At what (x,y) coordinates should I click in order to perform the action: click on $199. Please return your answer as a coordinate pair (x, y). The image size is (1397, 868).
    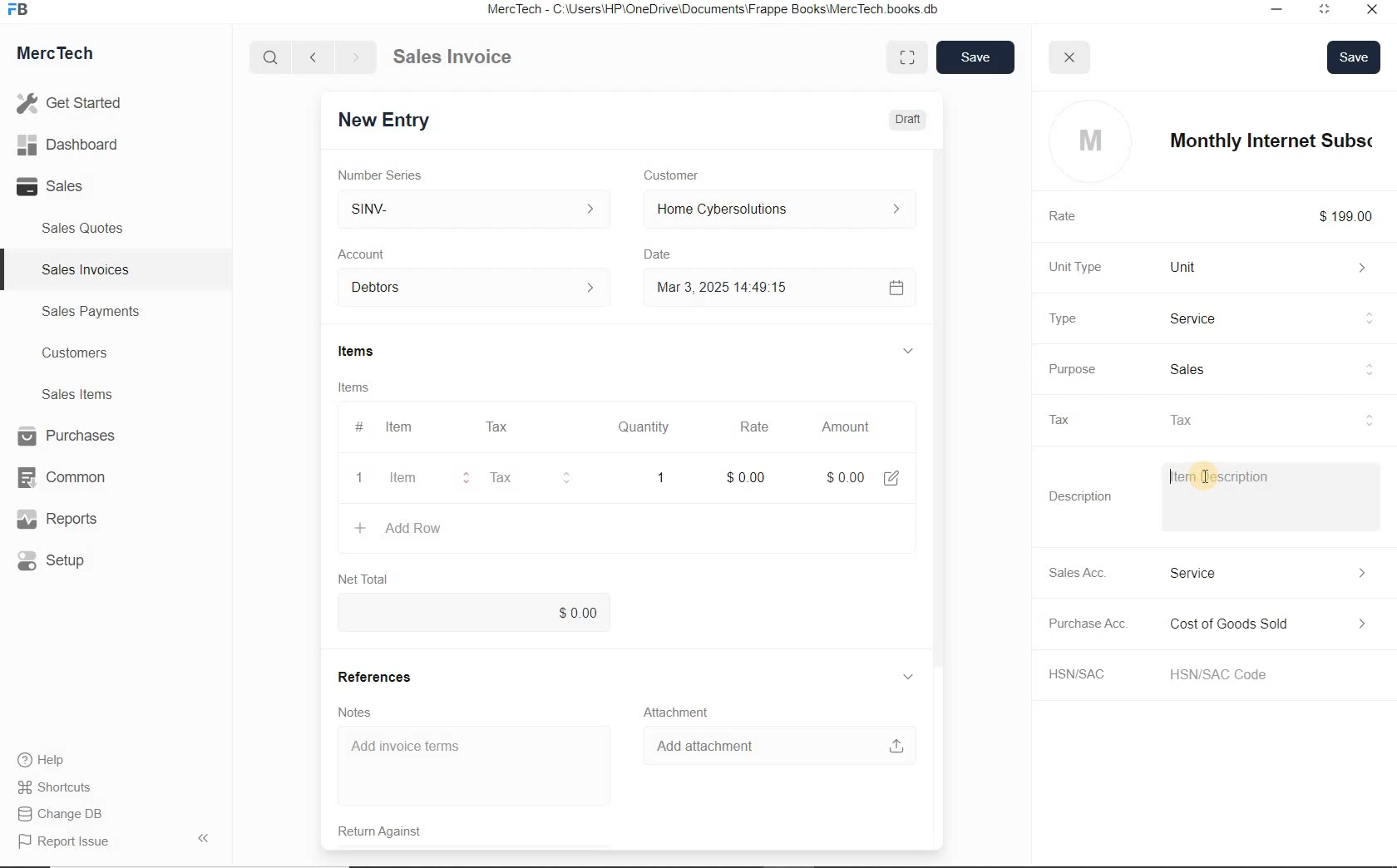
    Looking at the image, I should click on (1340, 216).